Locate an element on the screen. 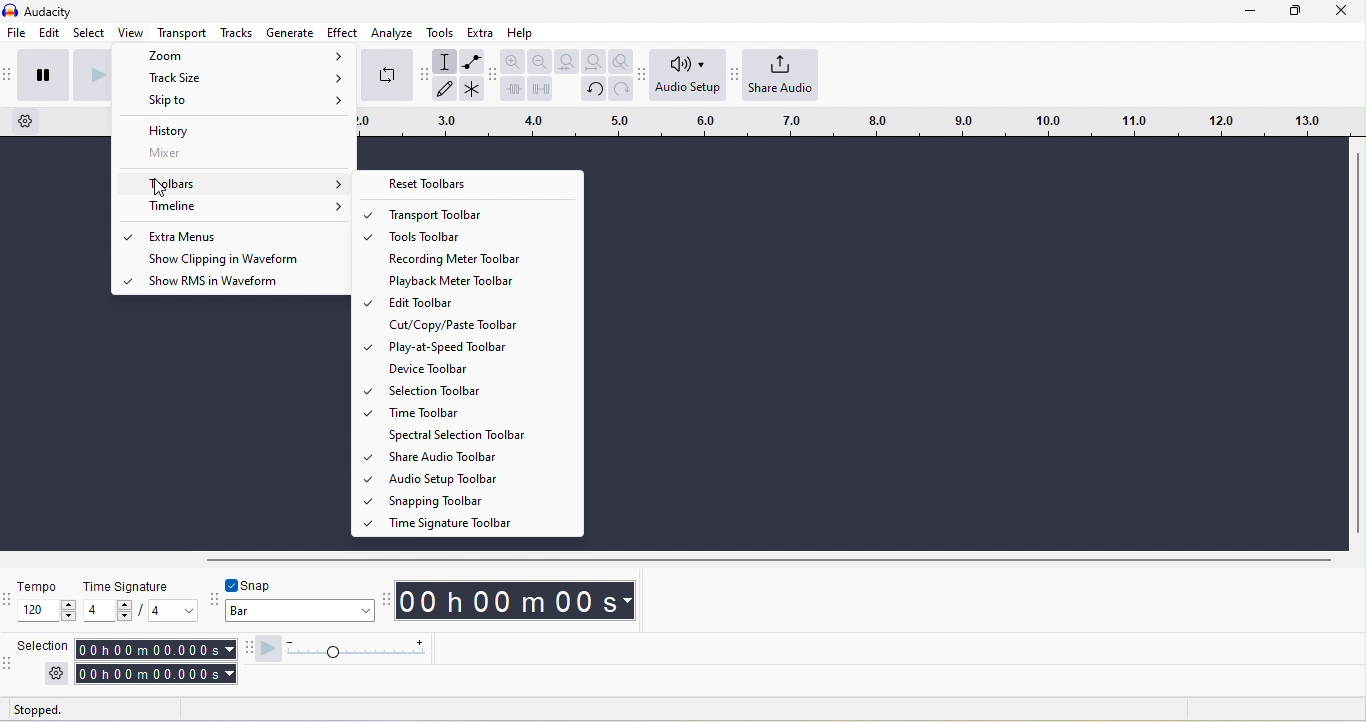  silence audio selection is located at coordinates (540, 89).